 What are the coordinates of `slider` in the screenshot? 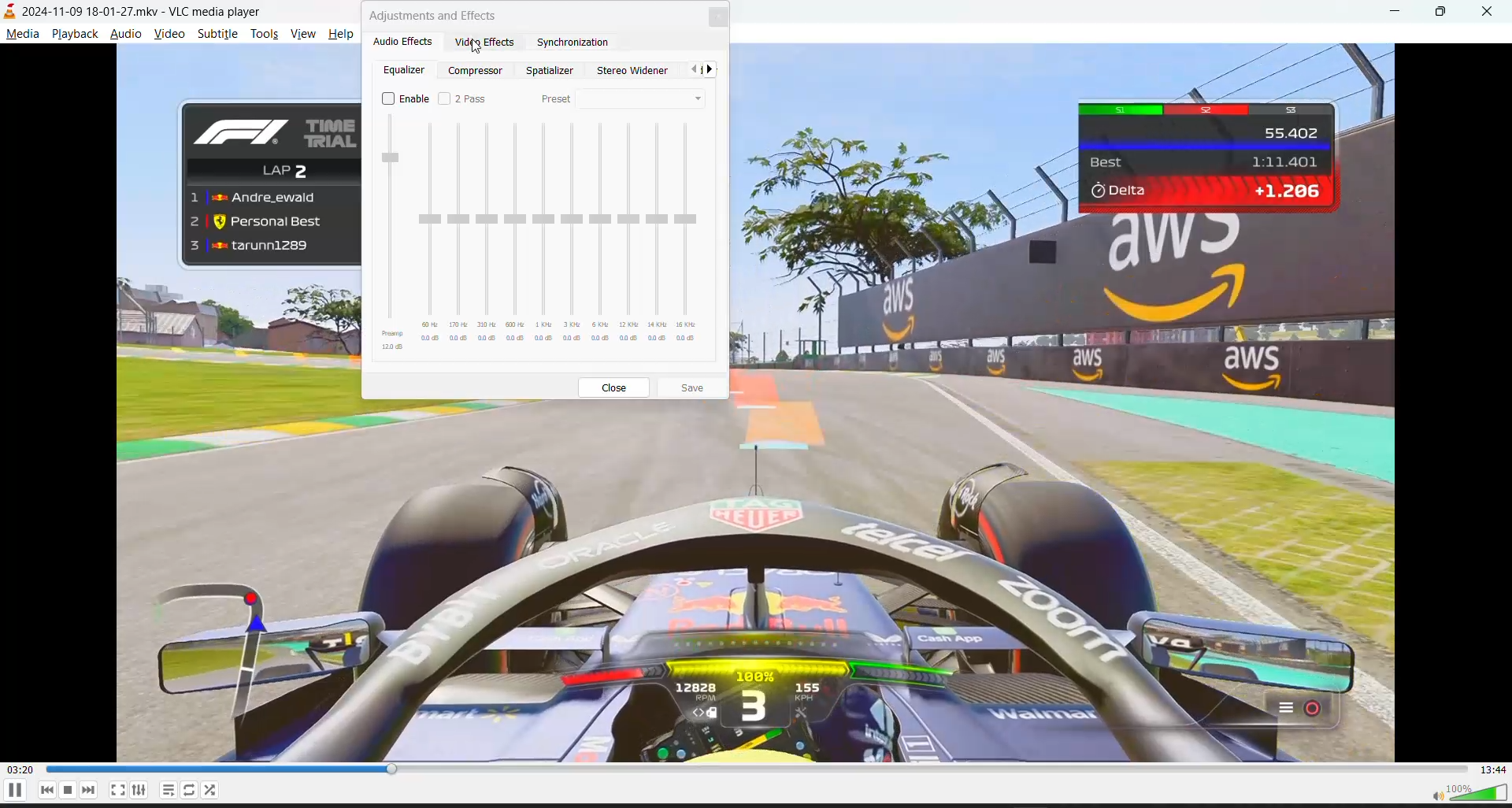 It's located at (601, 231).